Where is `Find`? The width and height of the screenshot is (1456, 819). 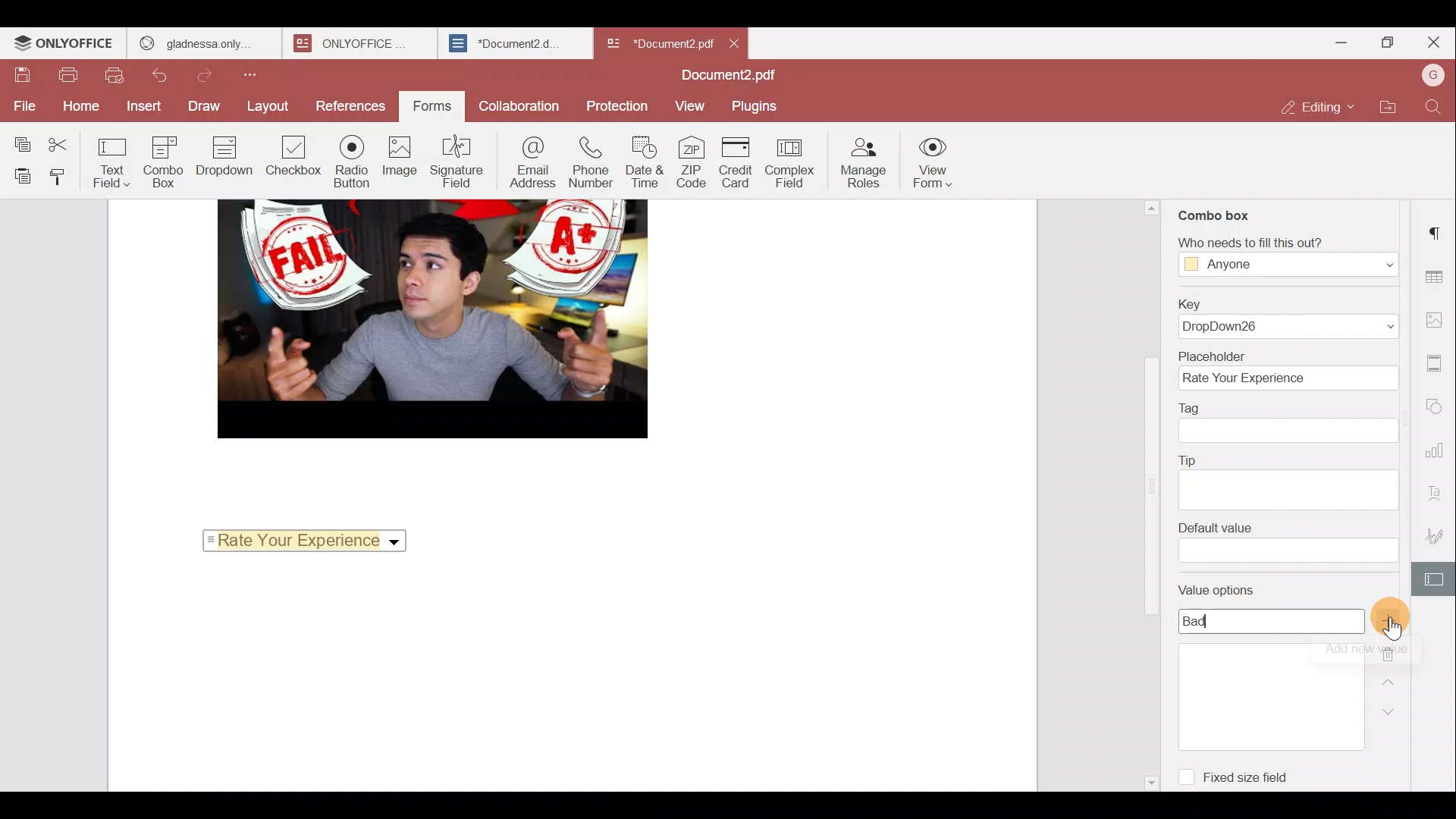 Find is located at coordinates (1433, 110).